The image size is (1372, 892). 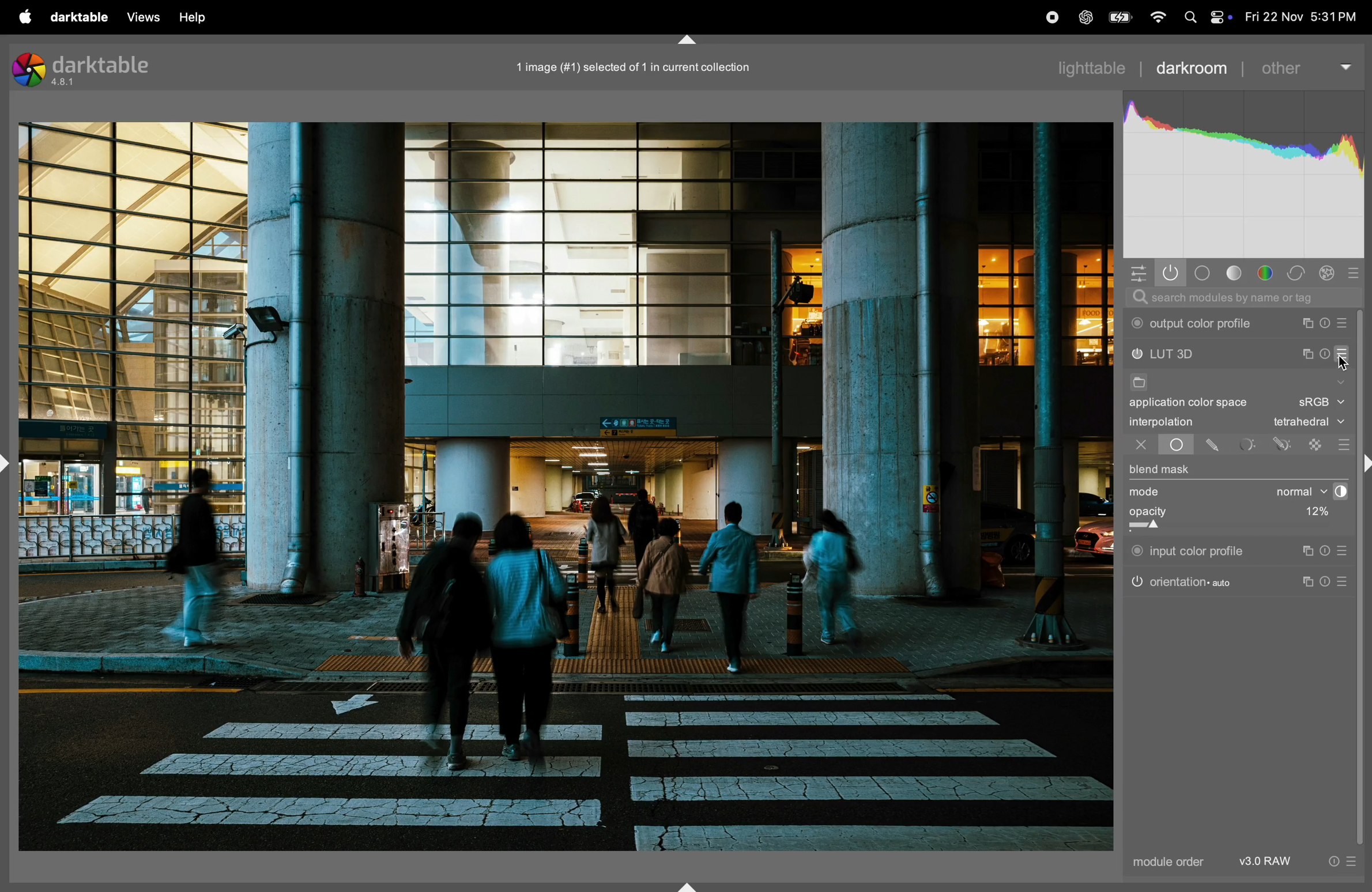 What do you see at coordinates (1156, 18) in the screenshot?
I see `wifi` at bounding box center [1156, 18].